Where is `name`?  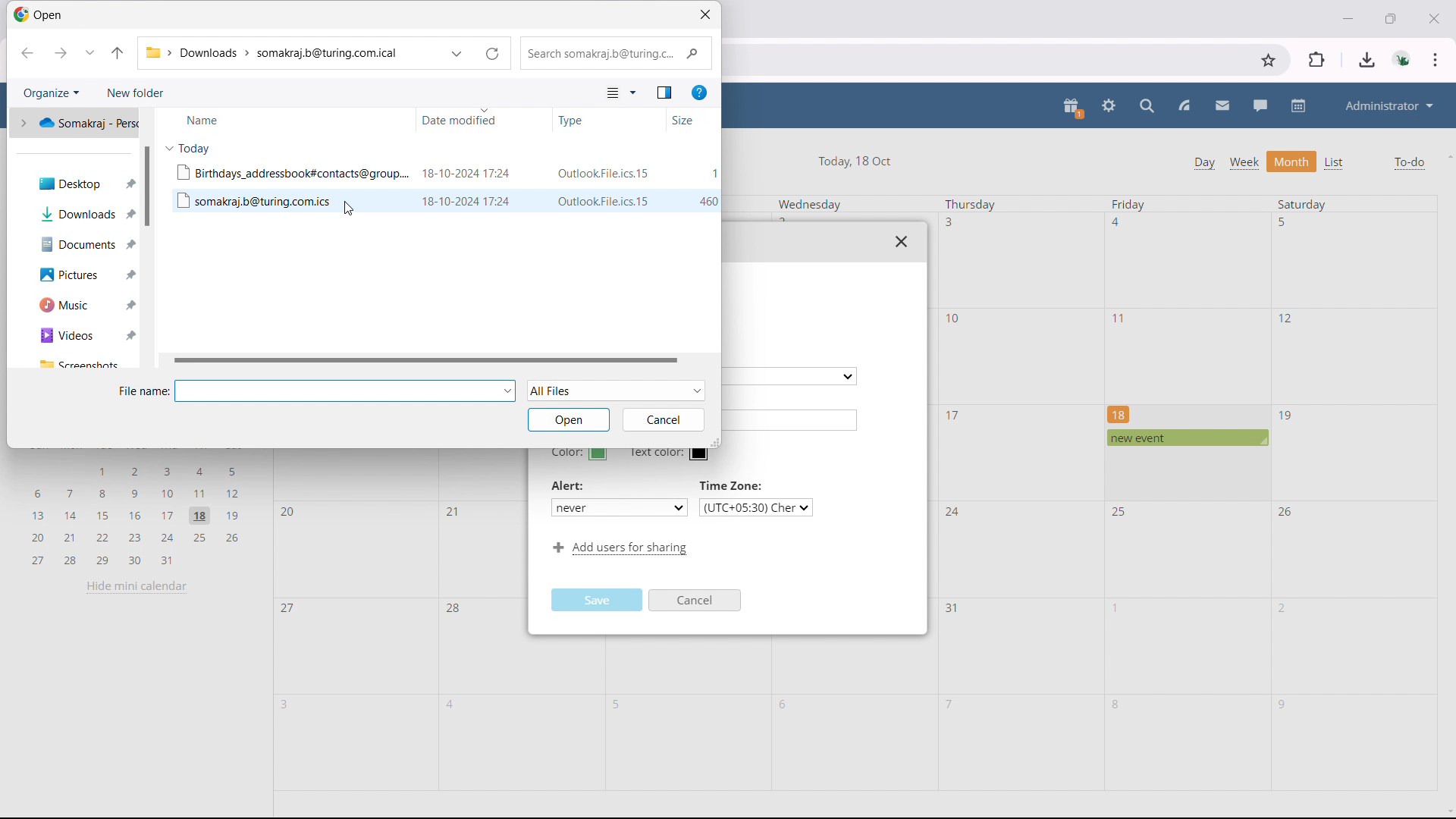
name is located at coordinates (283, 119).